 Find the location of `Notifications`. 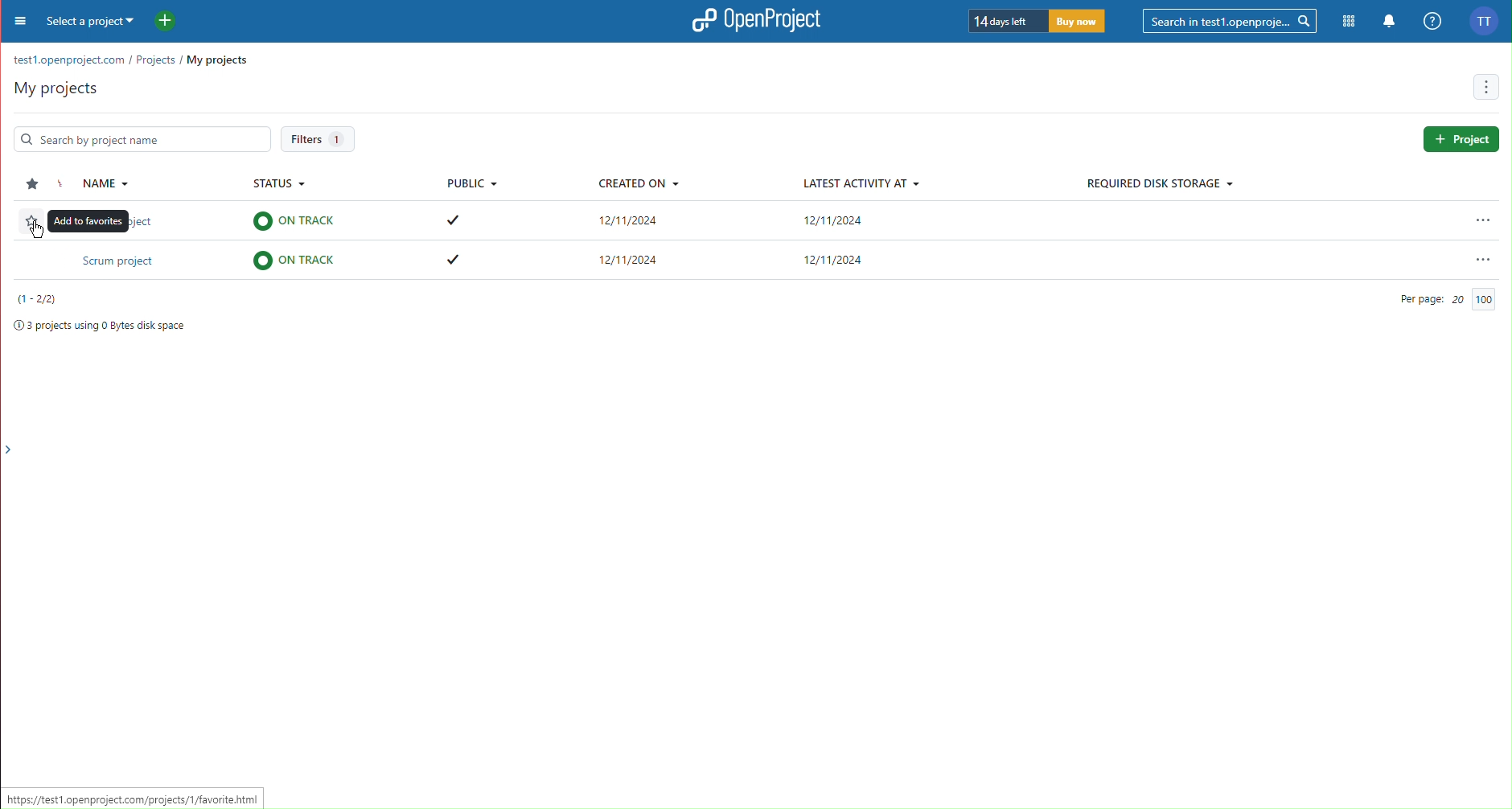

Notifications is located at coordinates (1388, 19).